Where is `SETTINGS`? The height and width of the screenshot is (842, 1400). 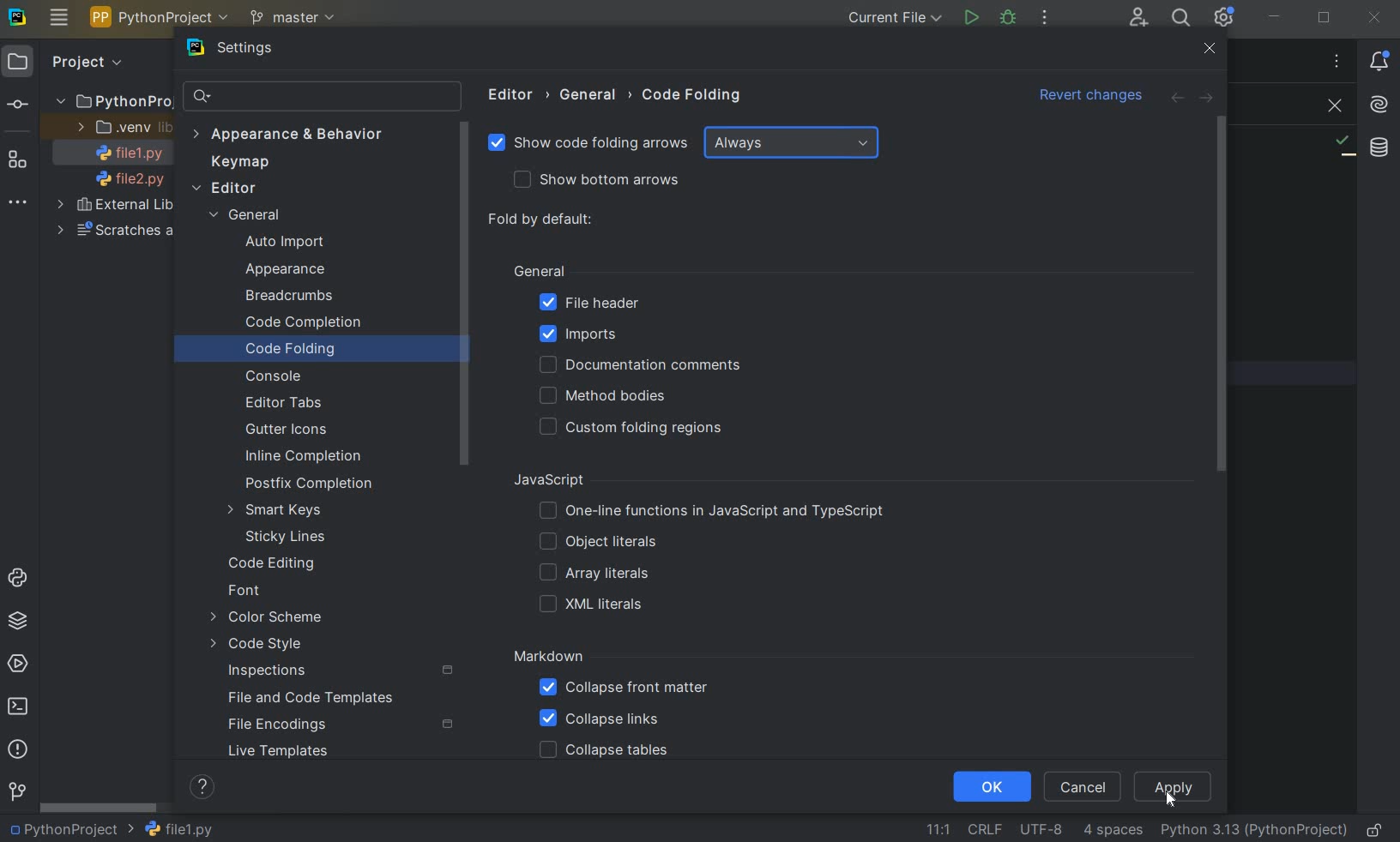 SETTINGS is located at coordinates (253, 50).